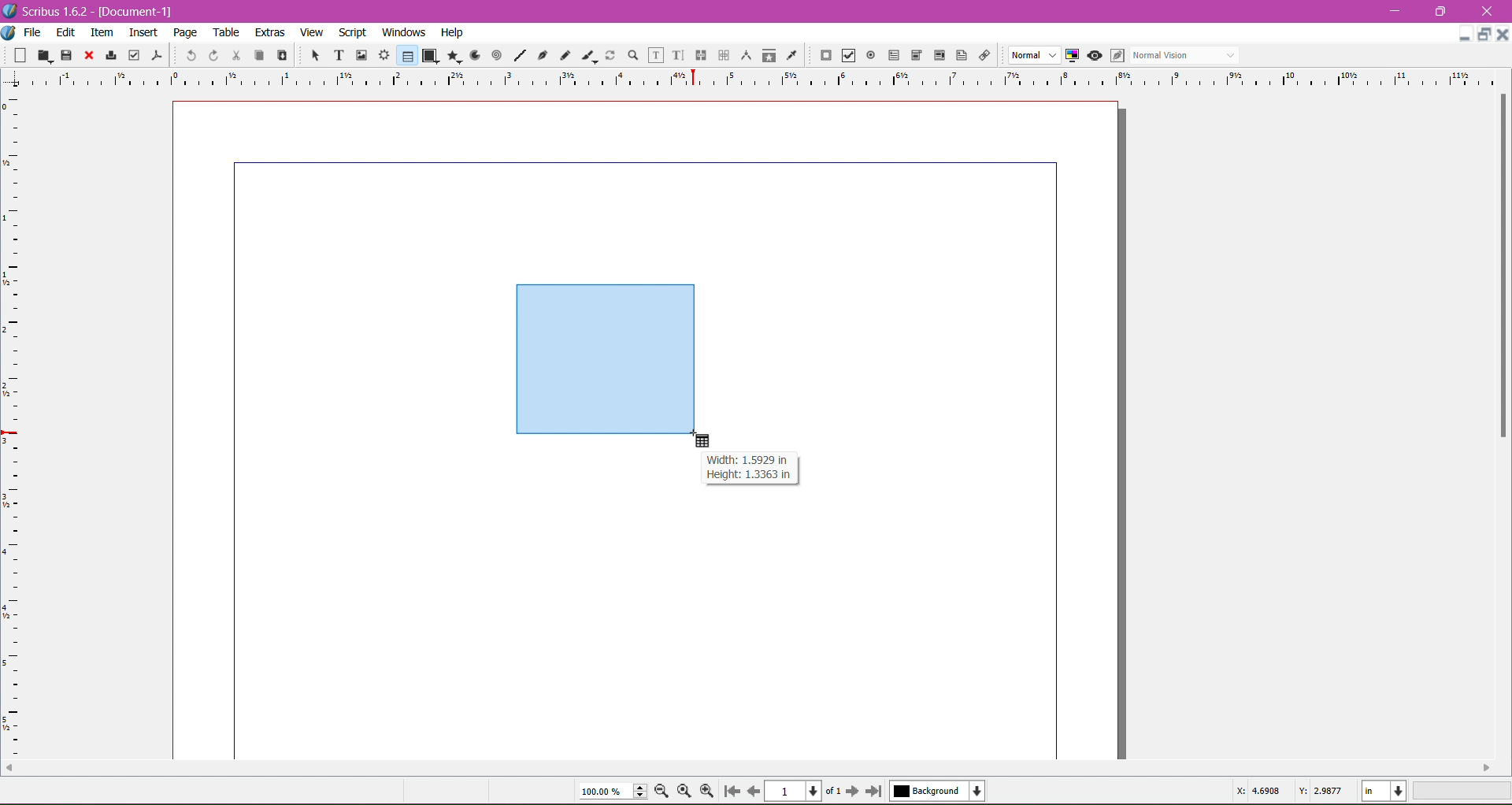  What do you see at coordinates (791, 55) in the screenshot?
I see `Eye Dropper` at bounding box center [791, 55].